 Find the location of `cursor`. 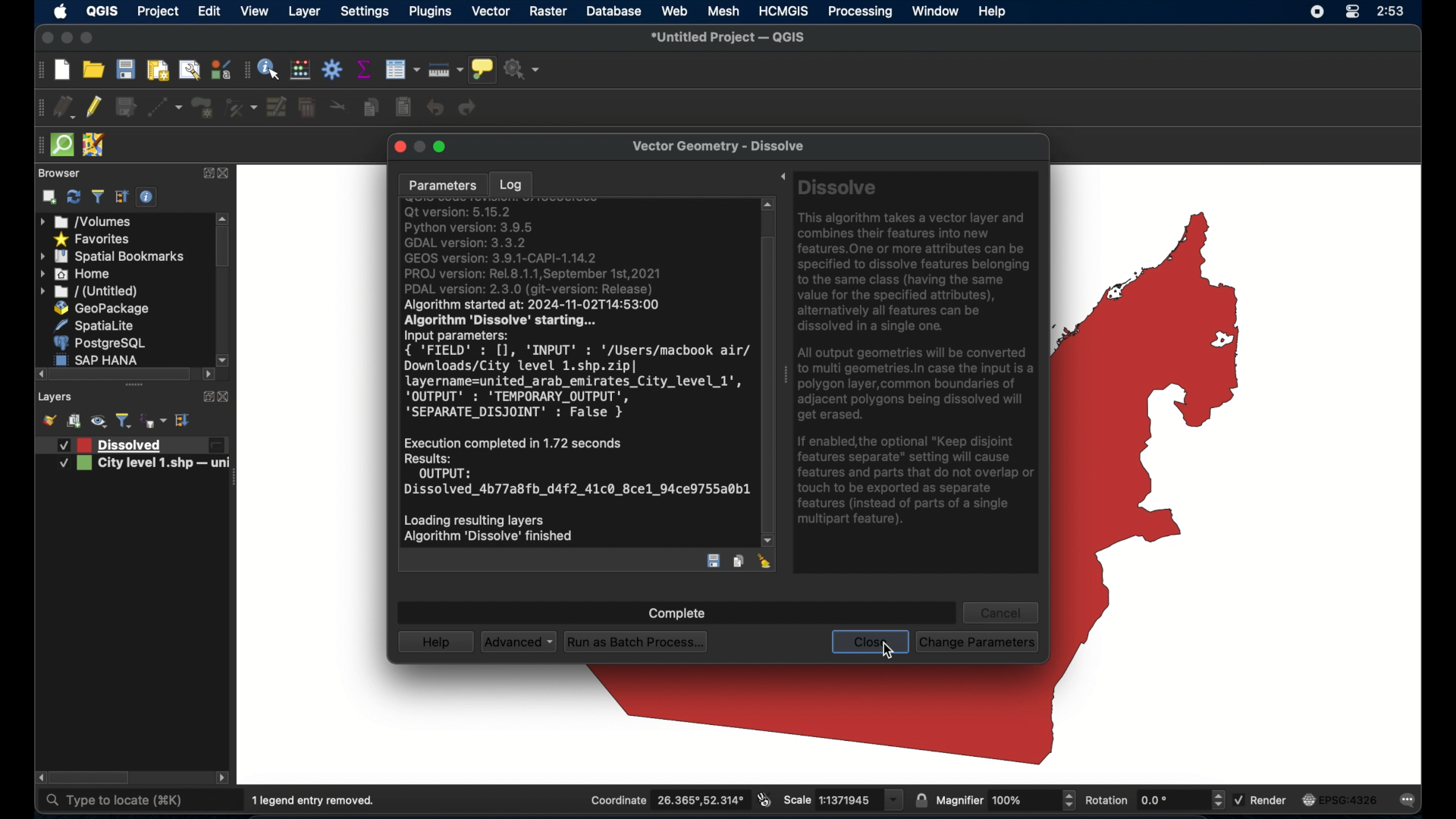

cursor is located at coordinates (888, 652).